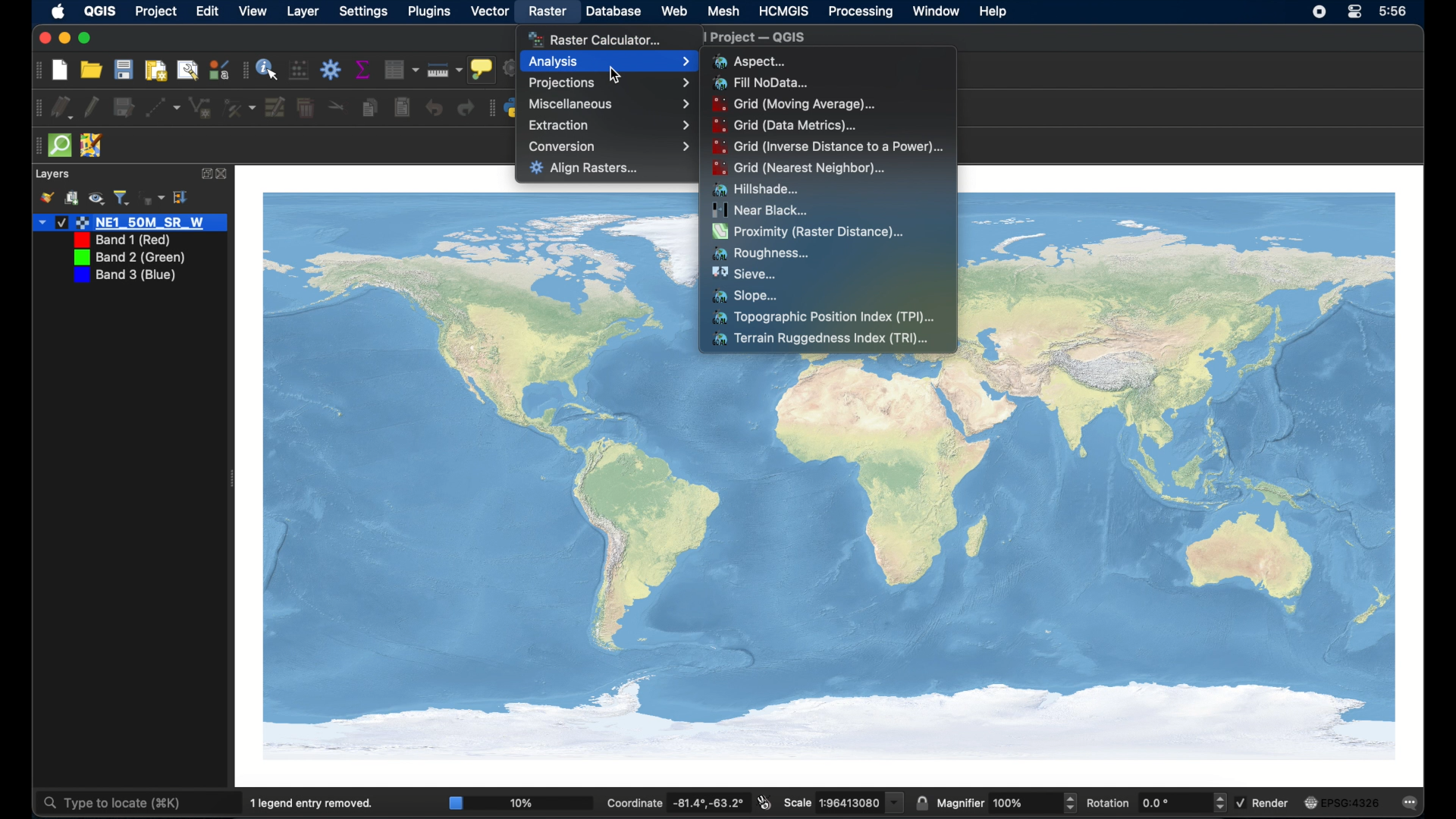 The image size is (1456, 819). I want to click on layer 2, so click(118, 240).